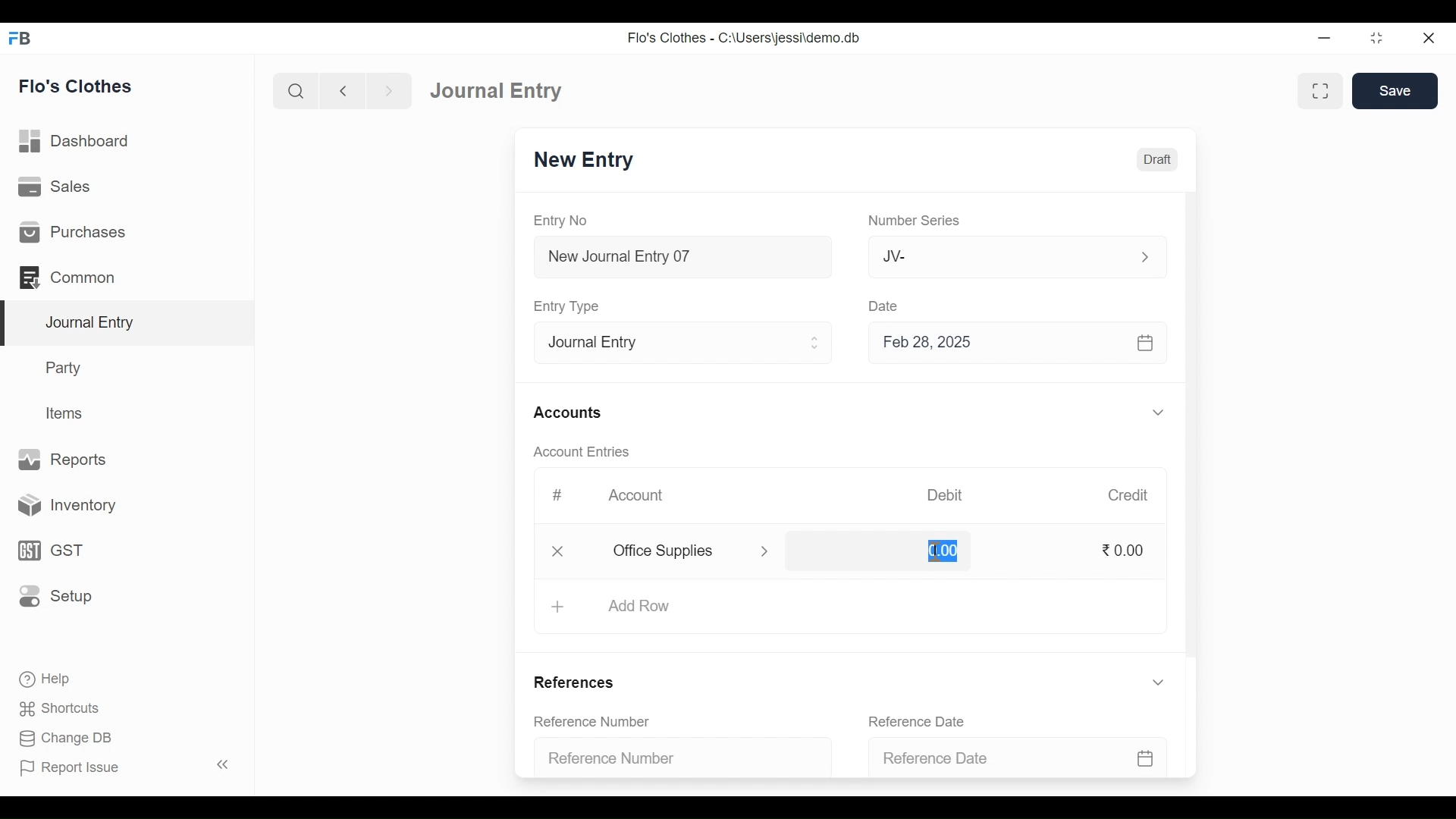  What do you see at coordinates (70, 277) in the screenshot?
I see `Common` at bounding box center [70, 277].